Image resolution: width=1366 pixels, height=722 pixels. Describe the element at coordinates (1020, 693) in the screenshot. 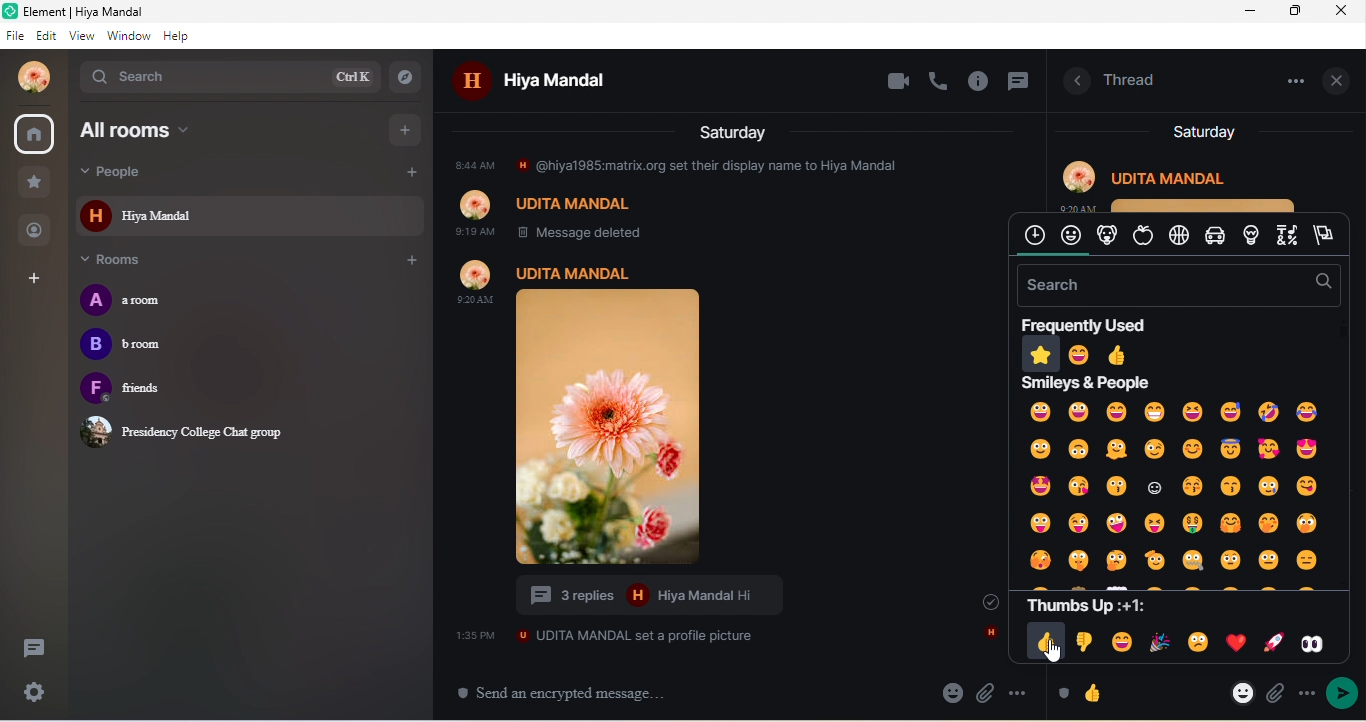

I see `more option` at that location.